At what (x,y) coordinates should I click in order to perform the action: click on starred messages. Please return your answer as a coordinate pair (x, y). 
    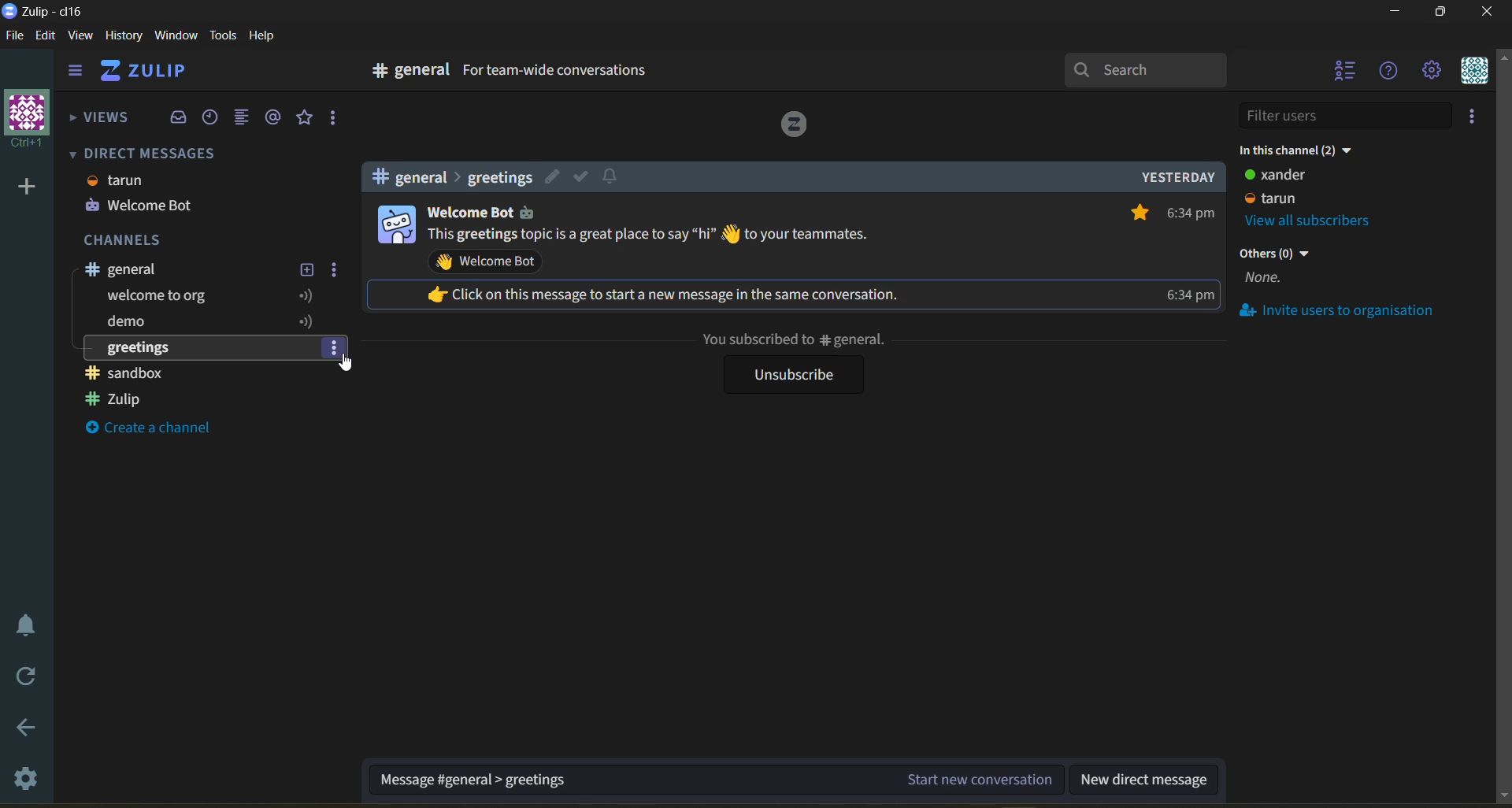
    Looking at the image, I should click on (306, 118).